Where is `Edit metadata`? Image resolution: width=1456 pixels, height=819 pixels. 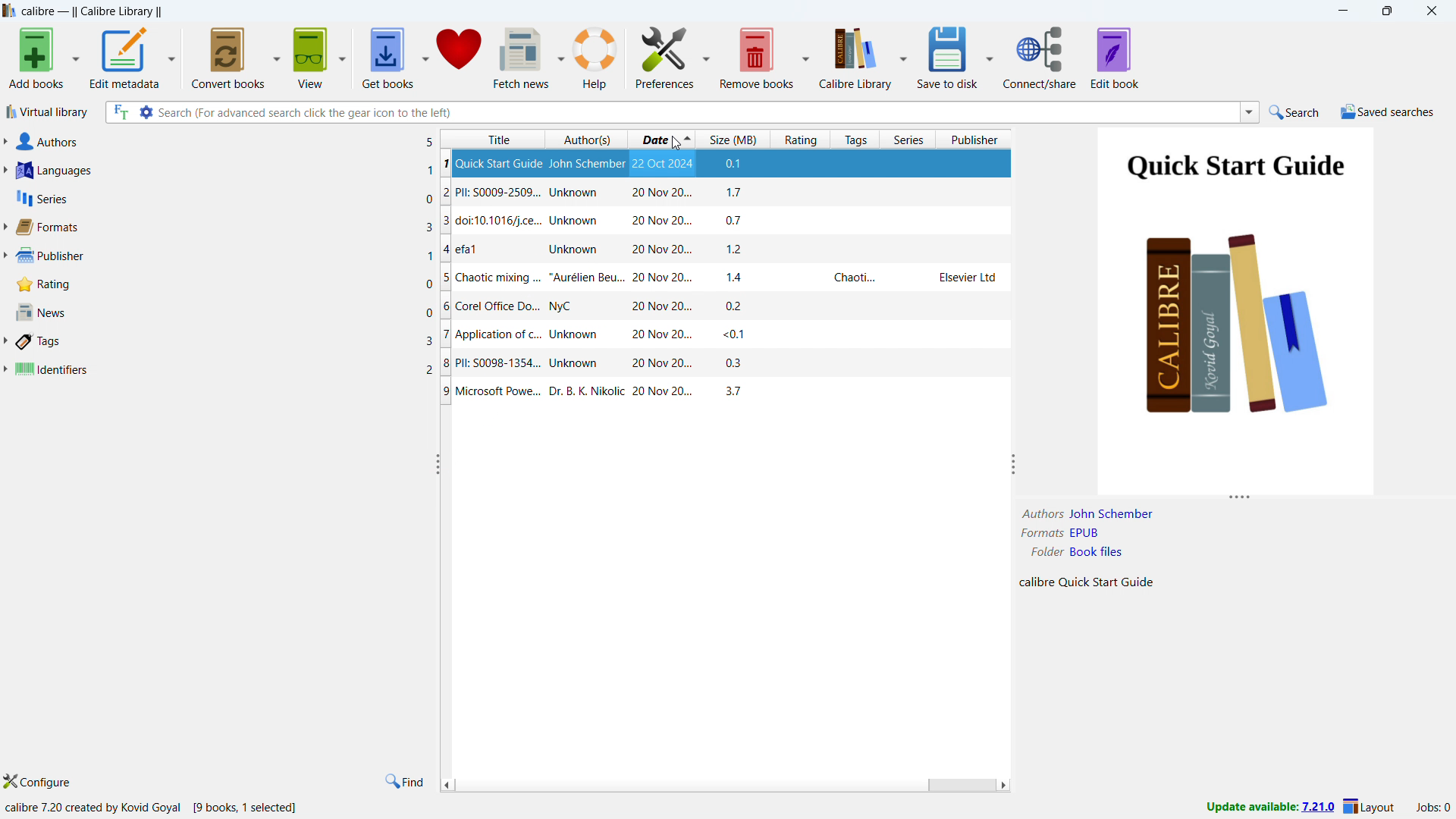 Edit metadata is located at coordinates (125, 57).